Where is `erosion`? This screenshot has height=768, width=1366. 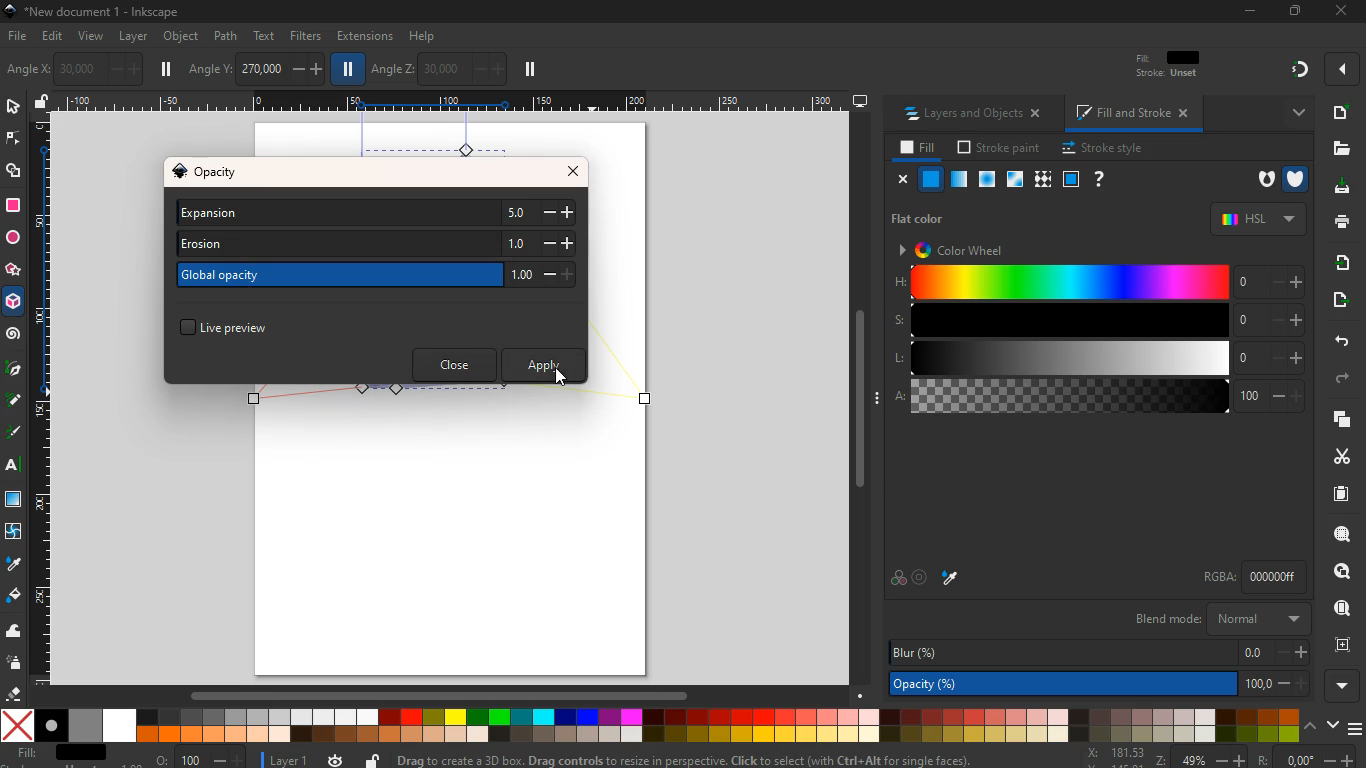
erosion is located at coordinates (376, 246).